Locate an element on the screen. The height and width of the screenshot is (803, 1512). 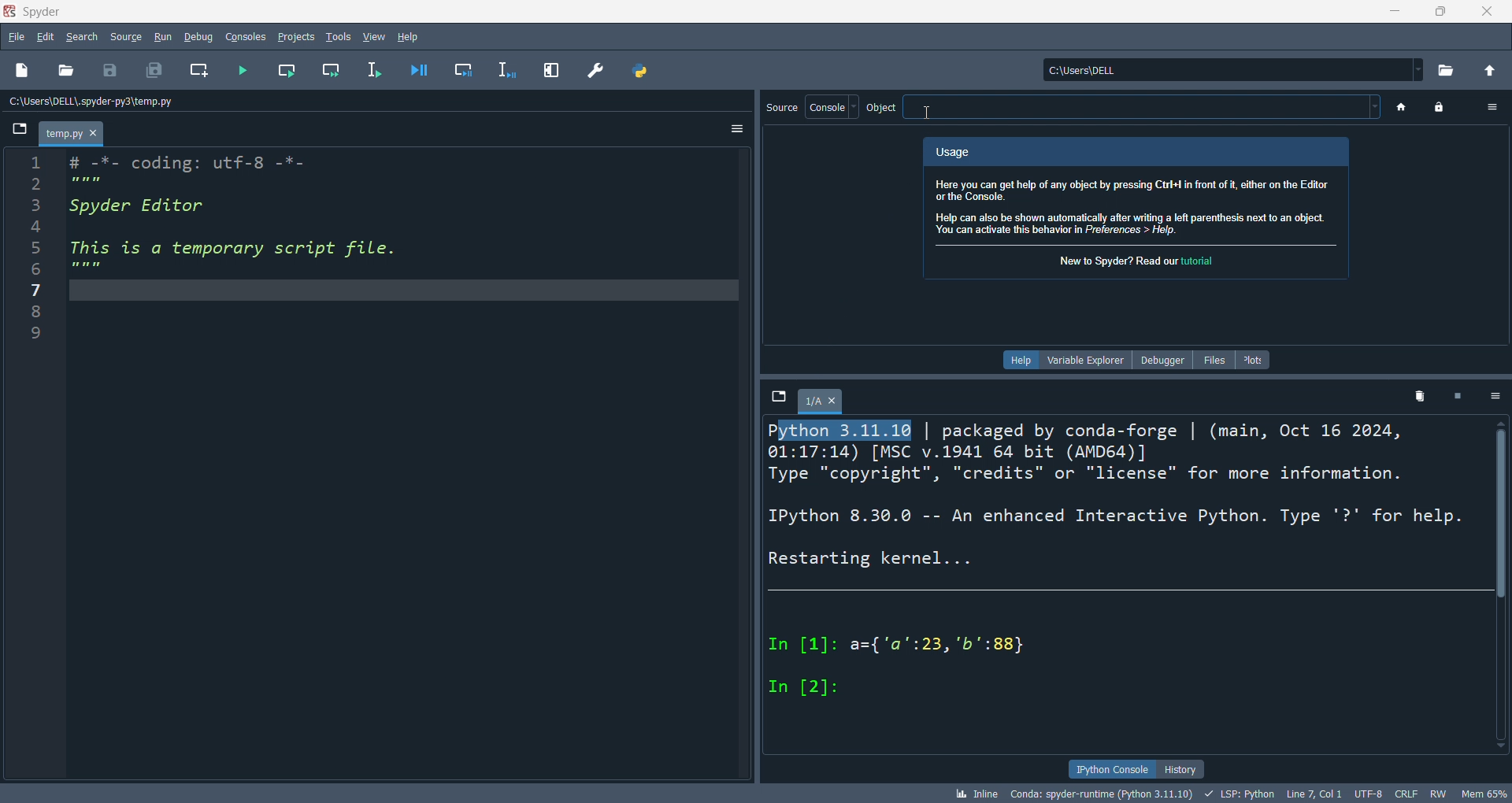
debug cel is located at coordinates (458, 71).